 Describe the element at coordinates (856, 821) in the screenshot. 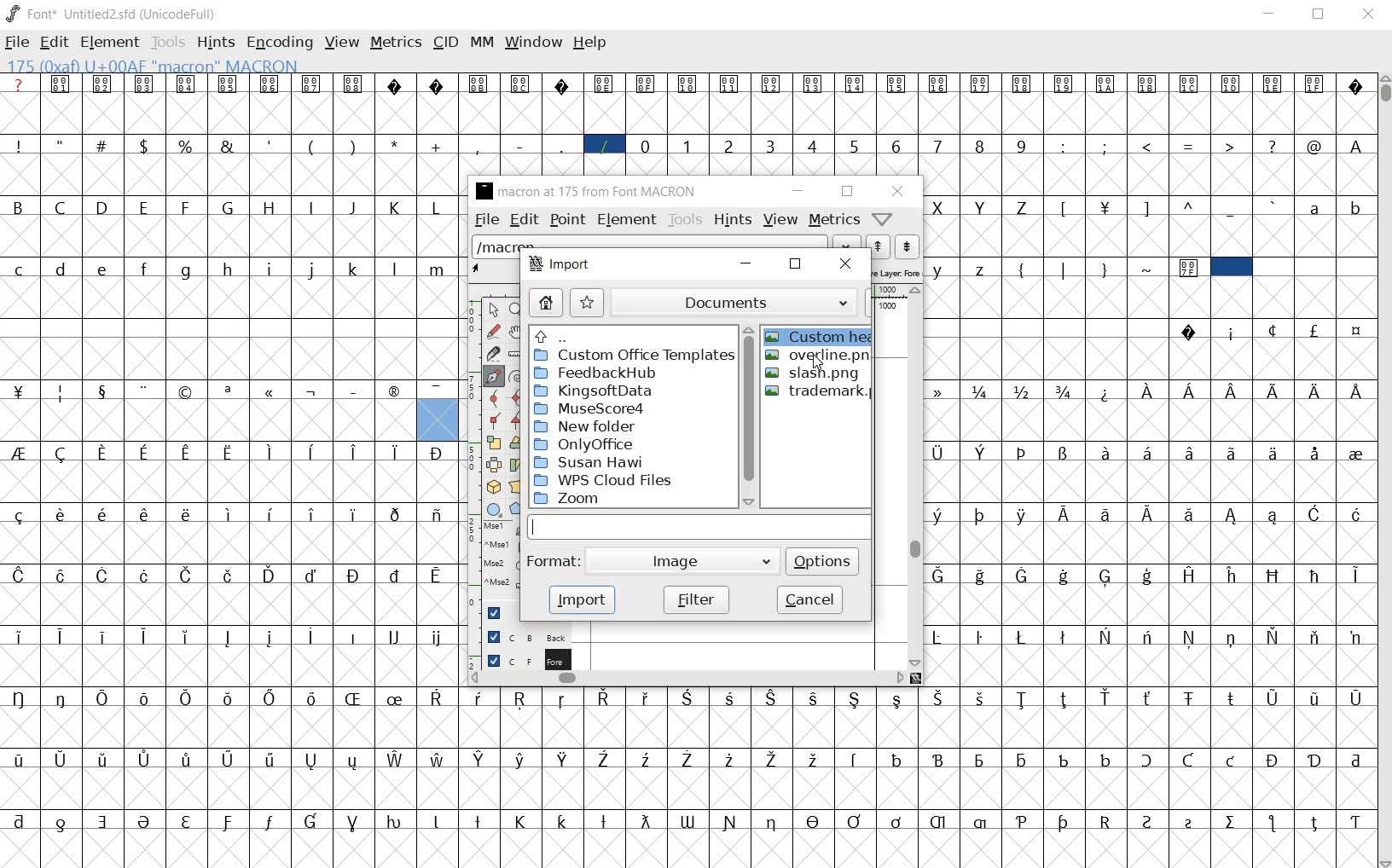

I see `Symbol` at that location.